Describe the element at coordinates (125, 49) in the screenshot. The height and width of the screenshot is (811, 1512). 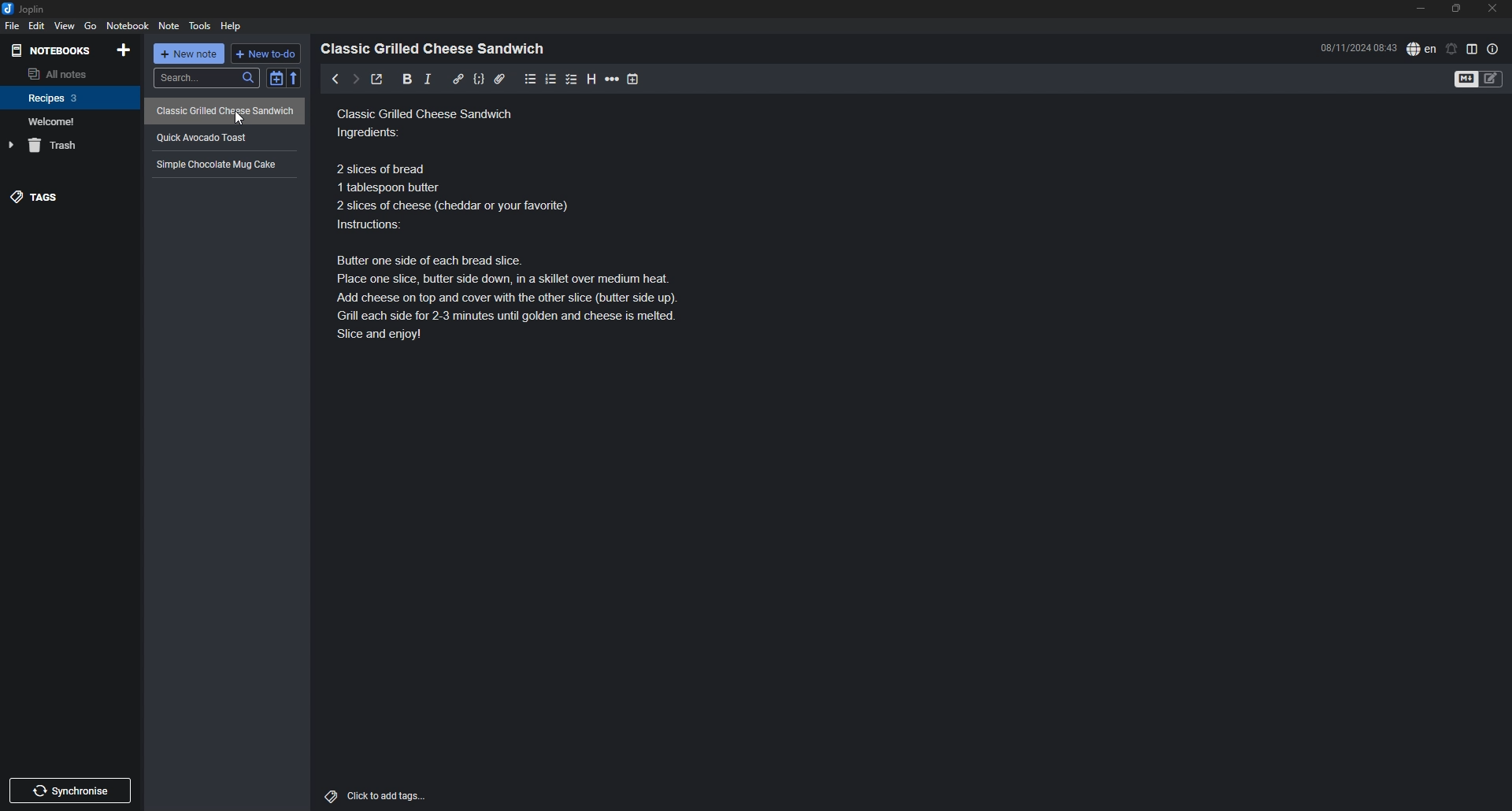
I see `add notebook` at that location.